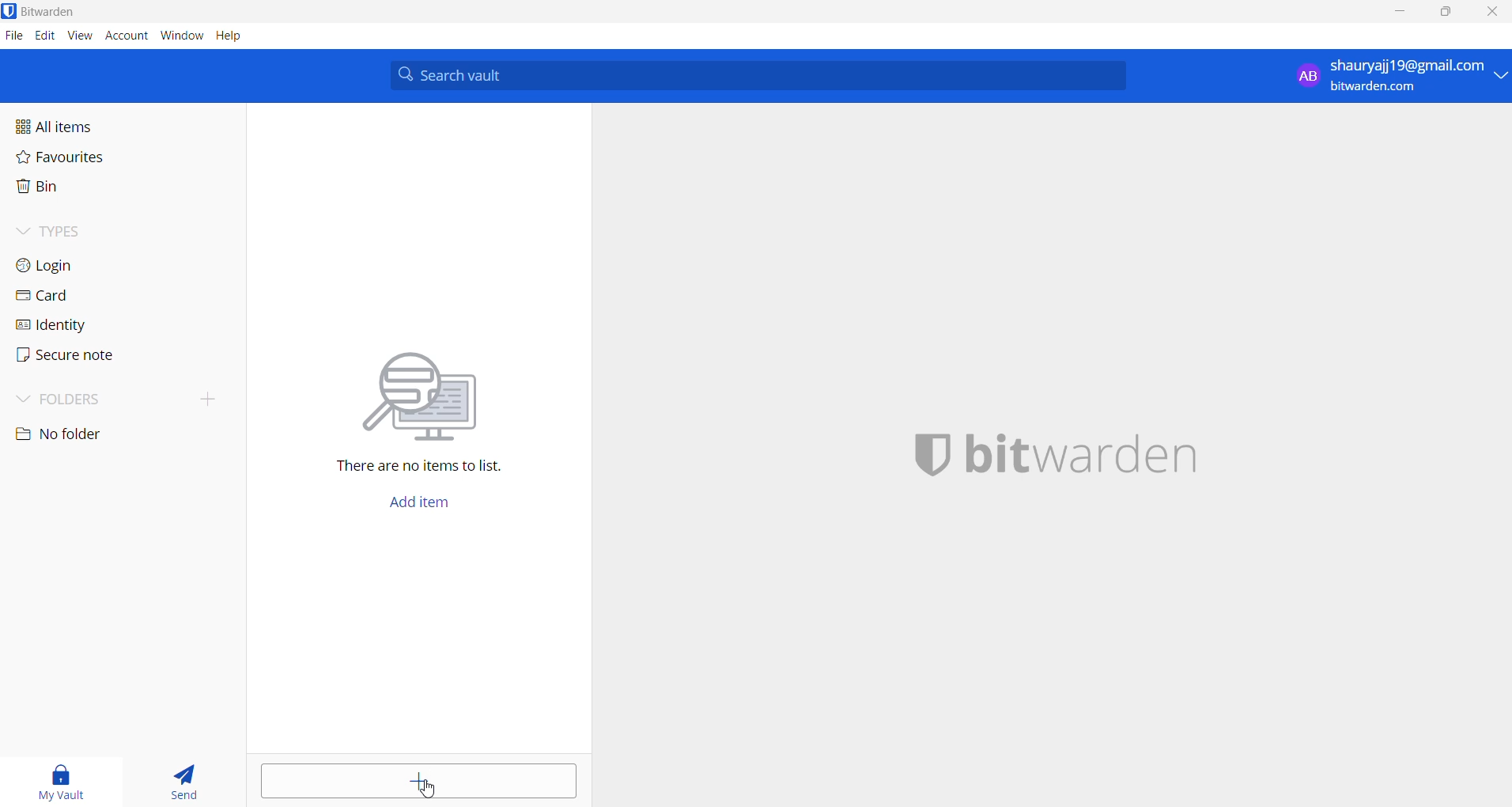 This screenshot has height=807, width=1512. What do you see at coordinates (93, 268) in the screenshot?
I see `login` at bounding box center [93, 268].